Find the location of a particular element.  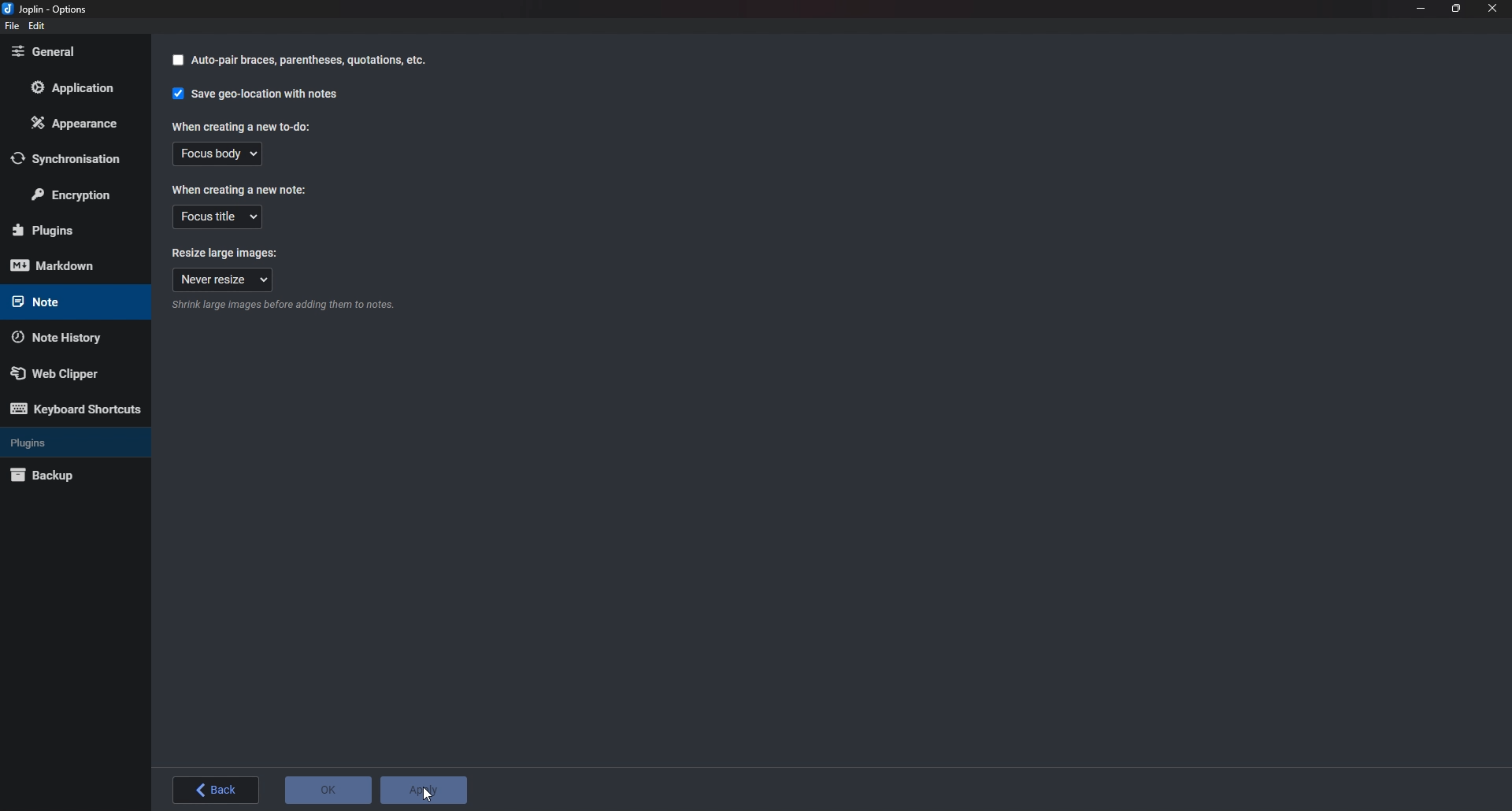

Synchronization is located at coordinates (75, 160).